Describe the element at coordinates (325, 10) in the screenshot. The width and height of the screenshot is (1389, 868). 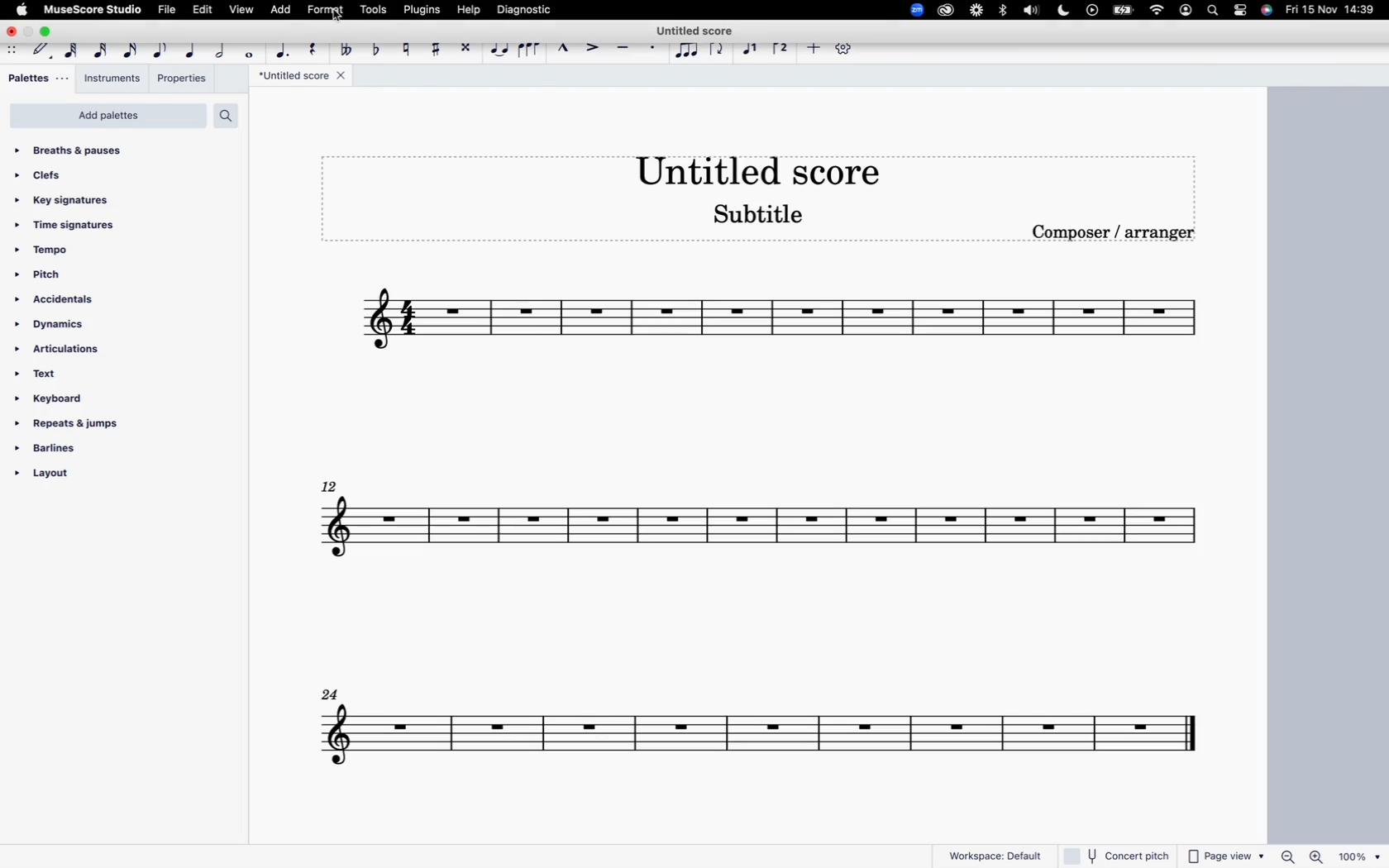
I see `format` at that location.